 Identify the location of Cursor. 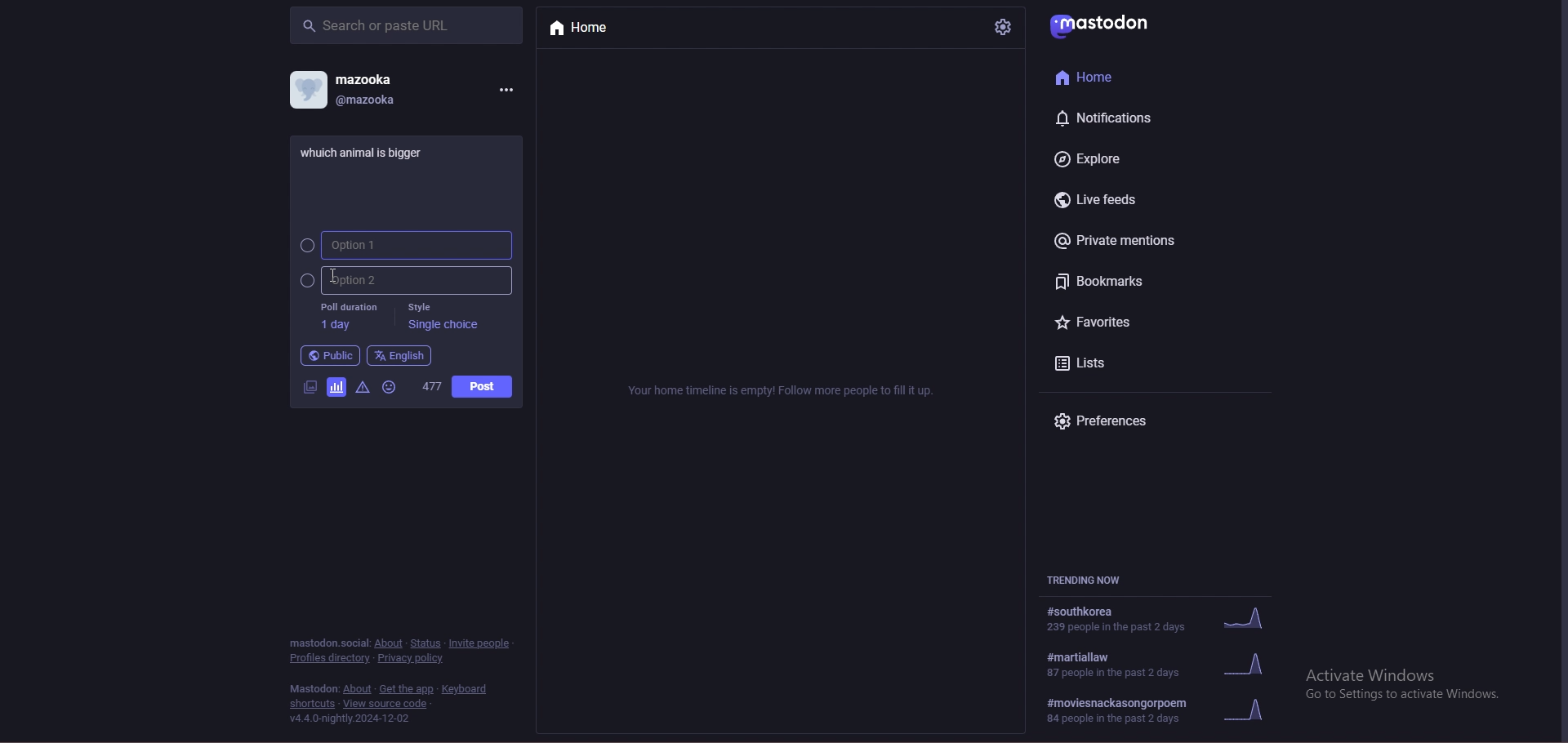
(341, 275).